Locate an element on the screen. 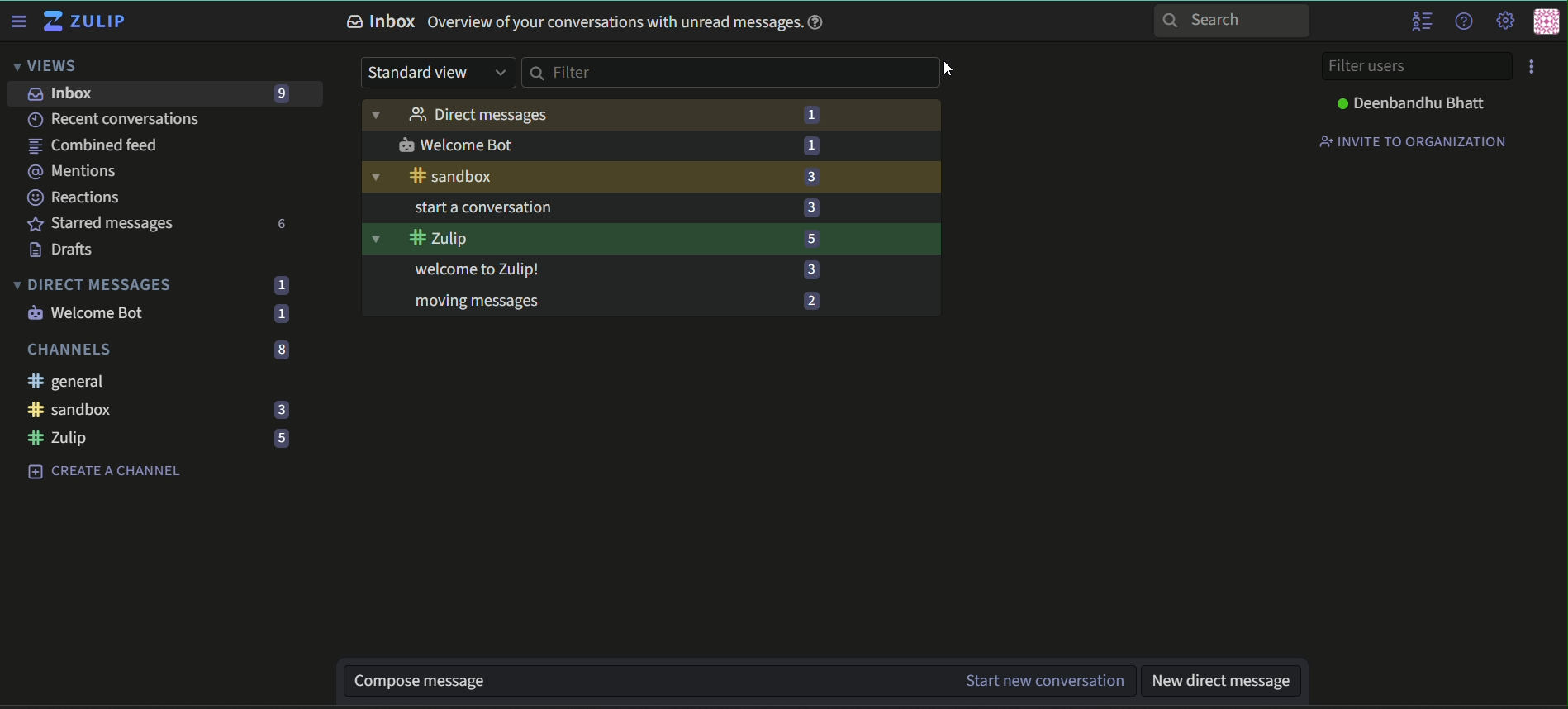  numbers is located at coordinates (281, 314).